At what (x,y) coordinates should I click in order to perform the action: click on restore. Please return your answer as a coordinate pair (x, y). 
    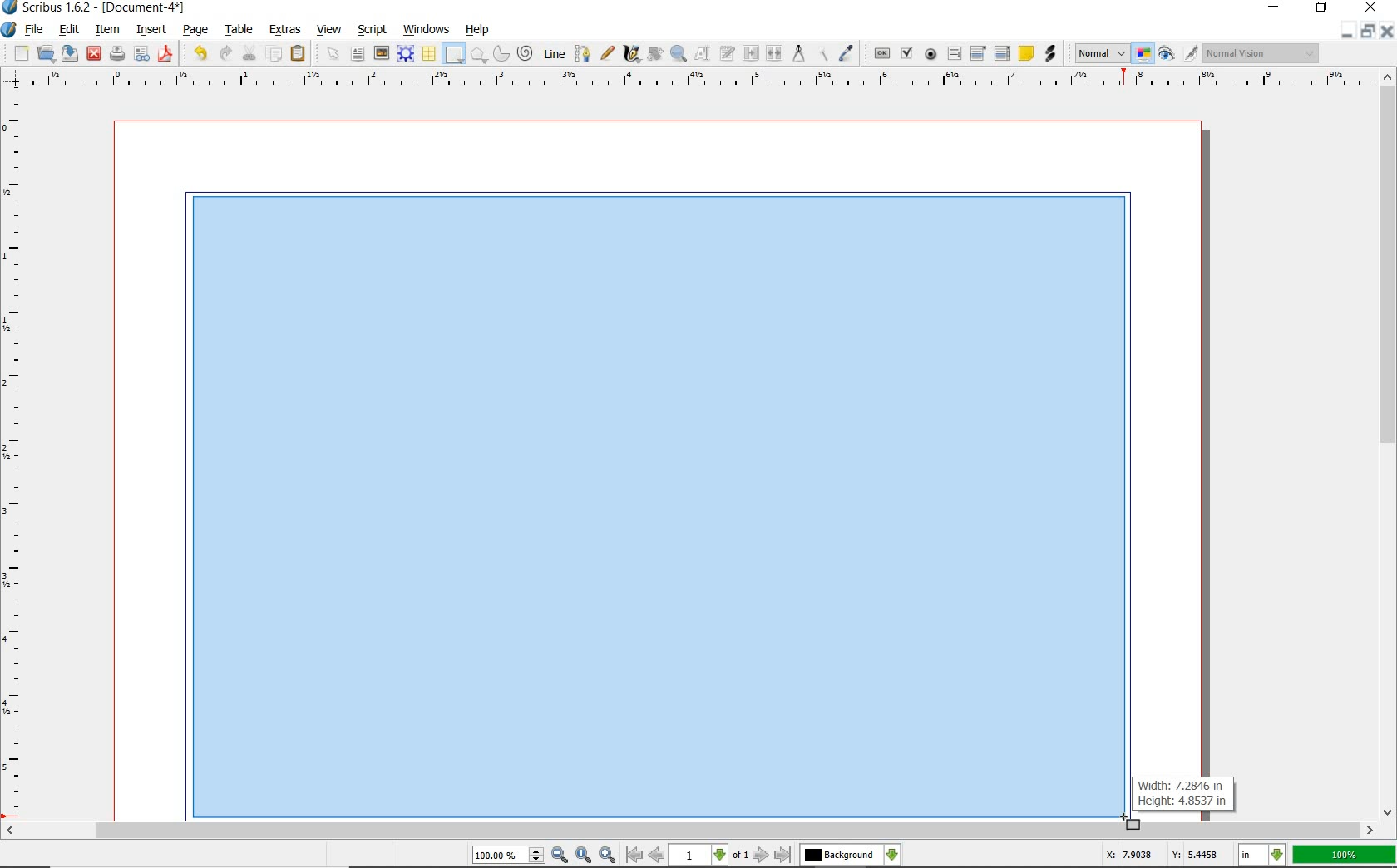
    Looking at the image, I should click on (1321, 9).